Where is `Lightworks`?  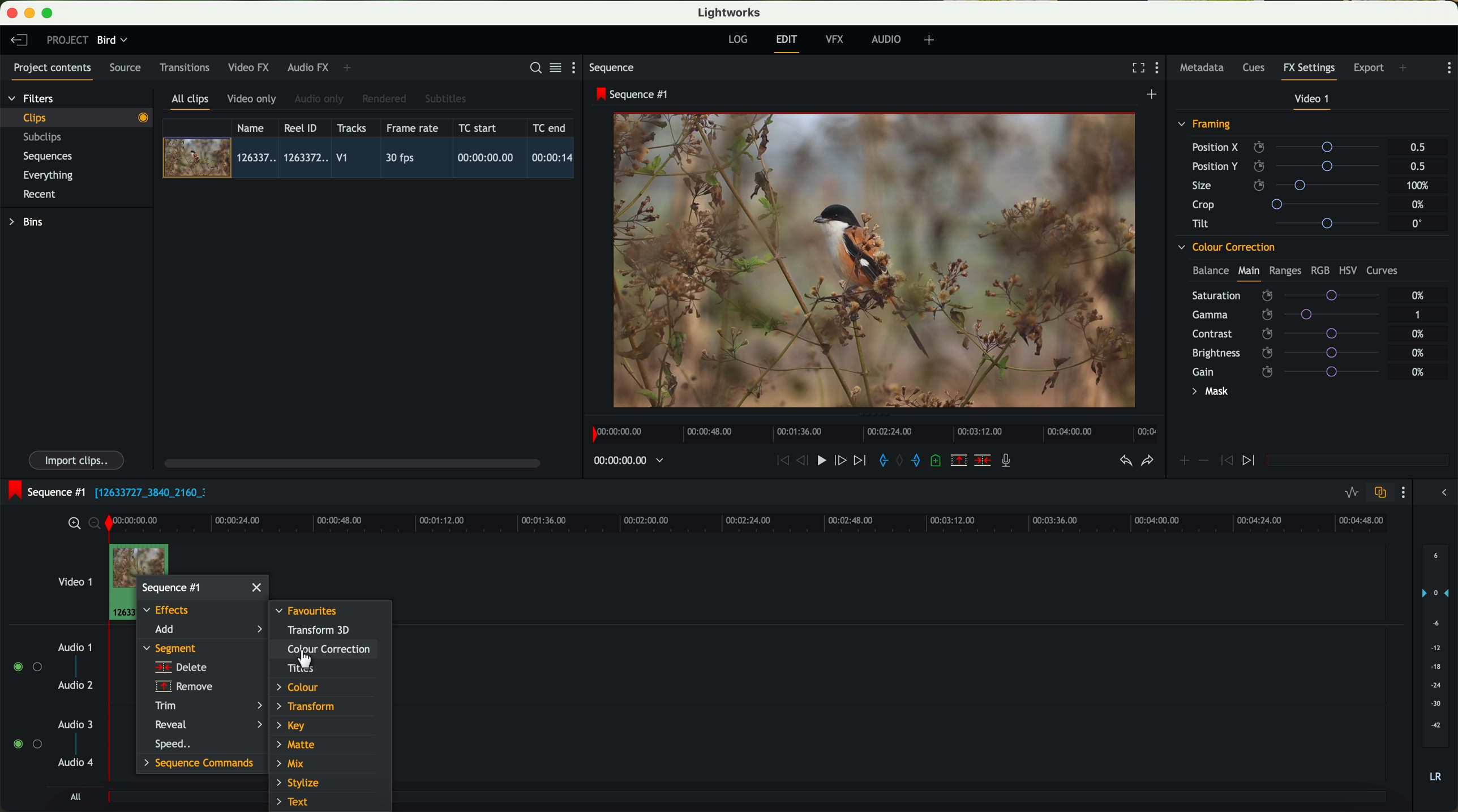
Lightworks is located at coordinates (730, 12).